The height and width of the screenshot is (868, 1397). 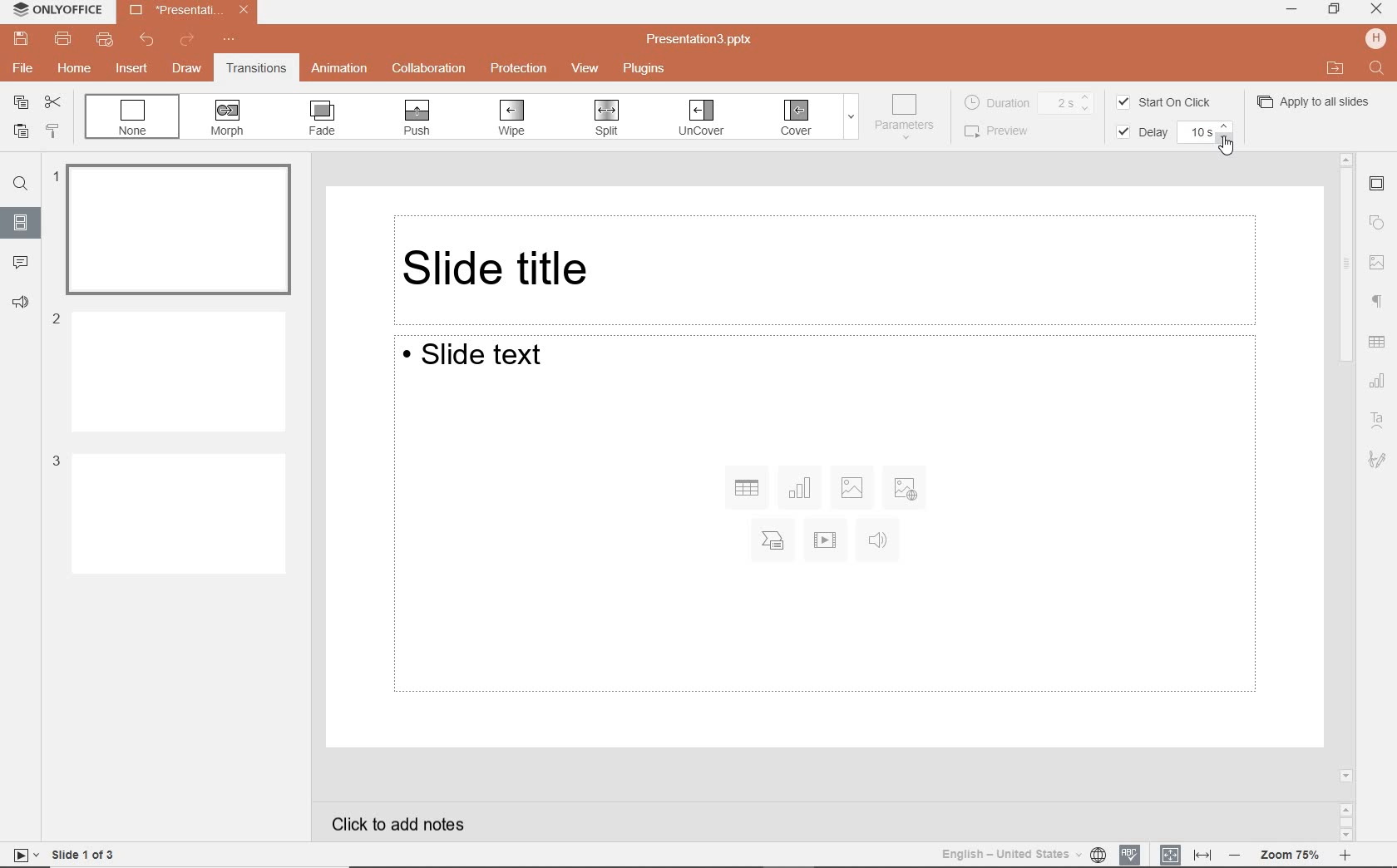 What do you see at coordinates (21, 186) in the screenshot?
I see `find` at bounding box center [21, 186].